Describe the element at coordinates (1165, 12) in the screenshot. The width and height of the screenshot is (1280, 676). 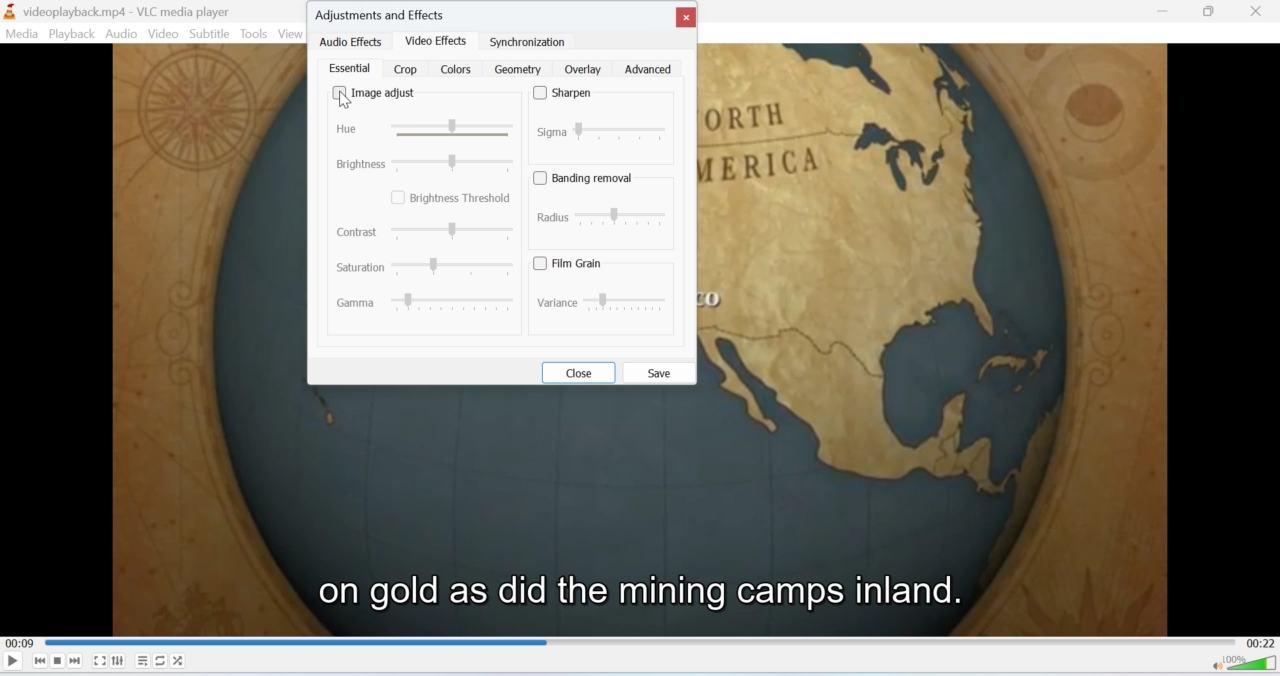
I see `minimise` at that location.